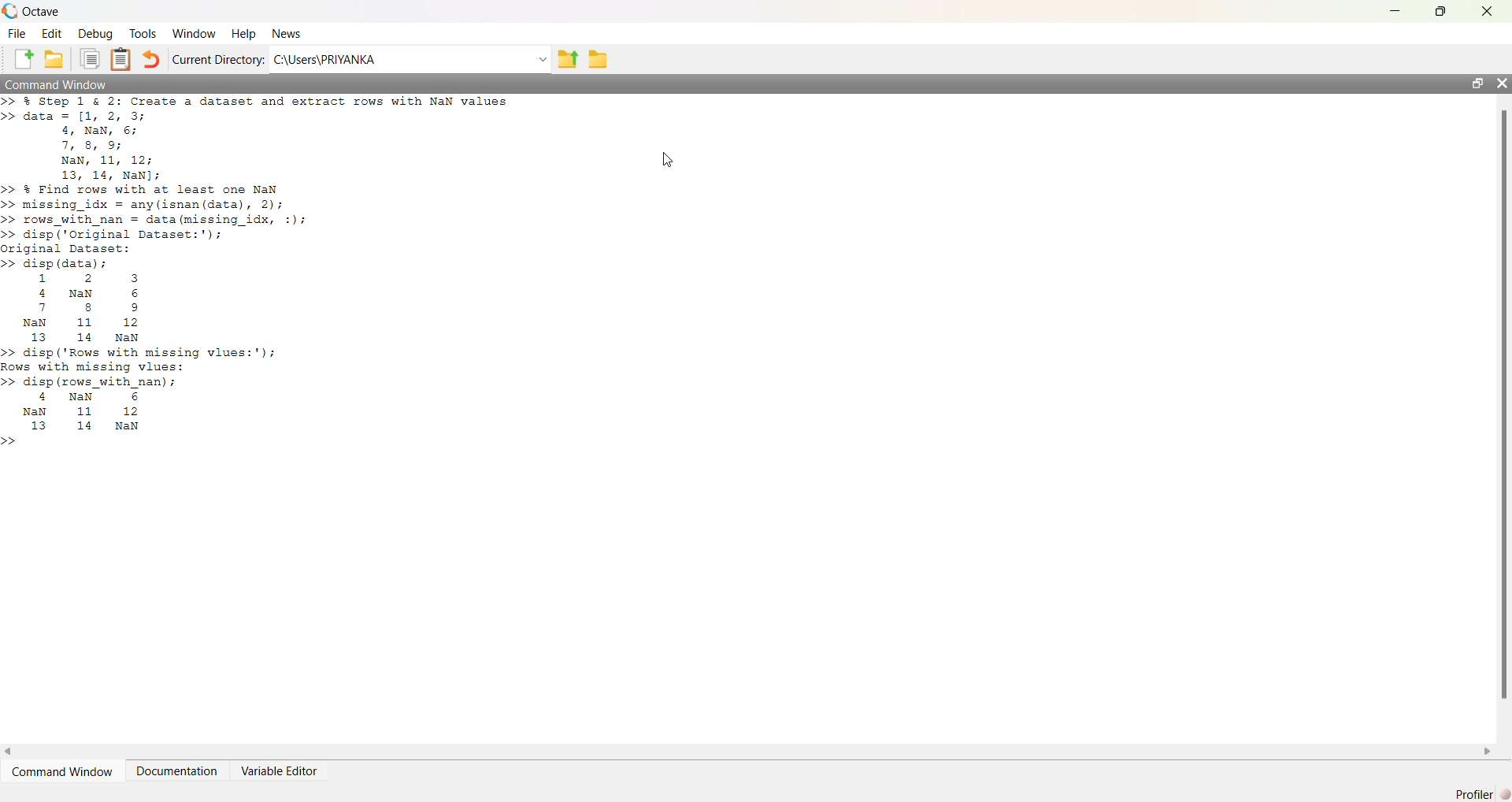 Image resolution: width=1512 pixels, height=802 pixels. What do you see at coordinates (17, 34) in the screenshot?
I see `File` at bounding box center [17, 34].